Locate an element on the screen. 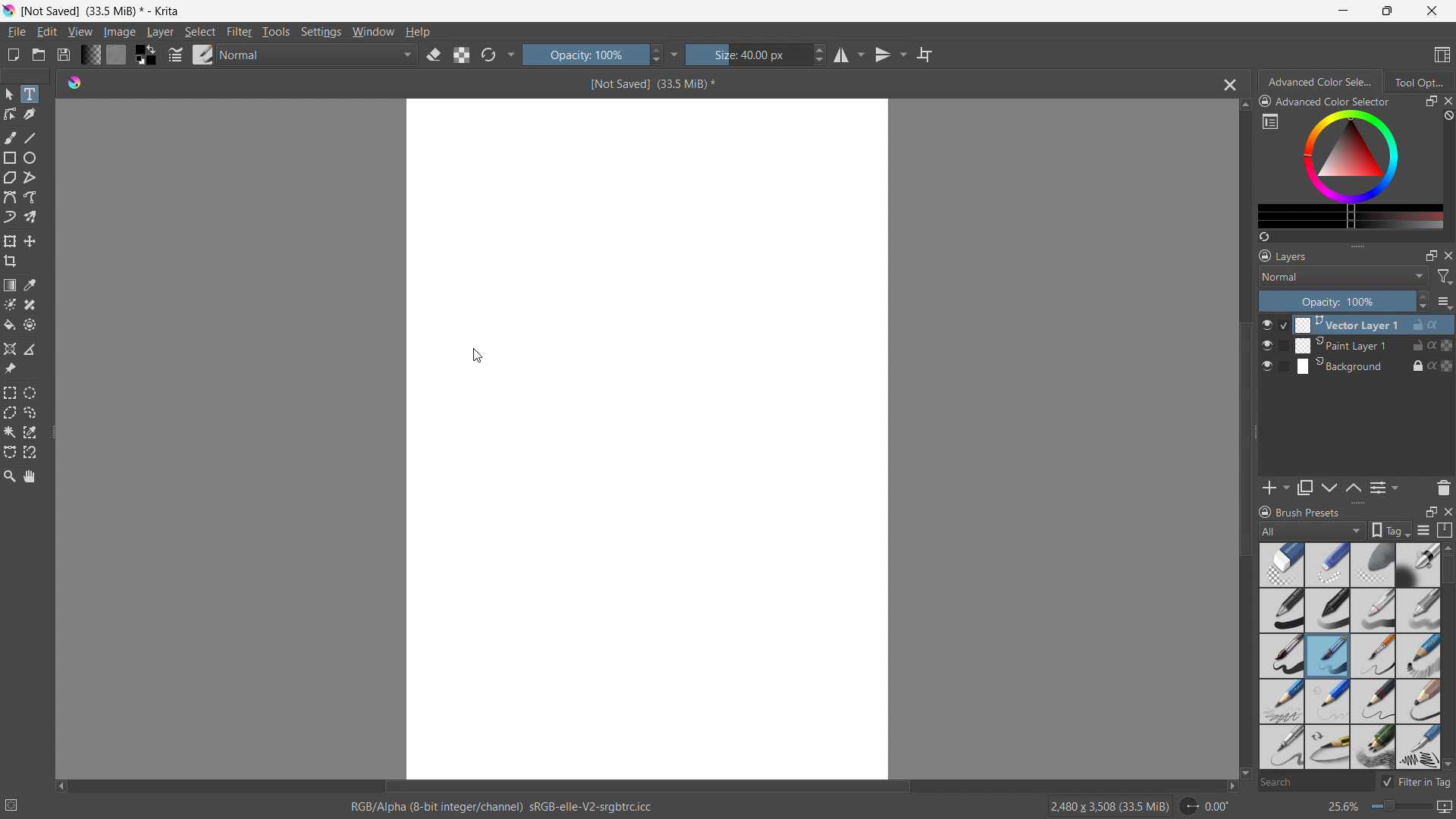 The width and height of the screenshot is (1456, 819). pencil is located at coordinates (1281, 701).